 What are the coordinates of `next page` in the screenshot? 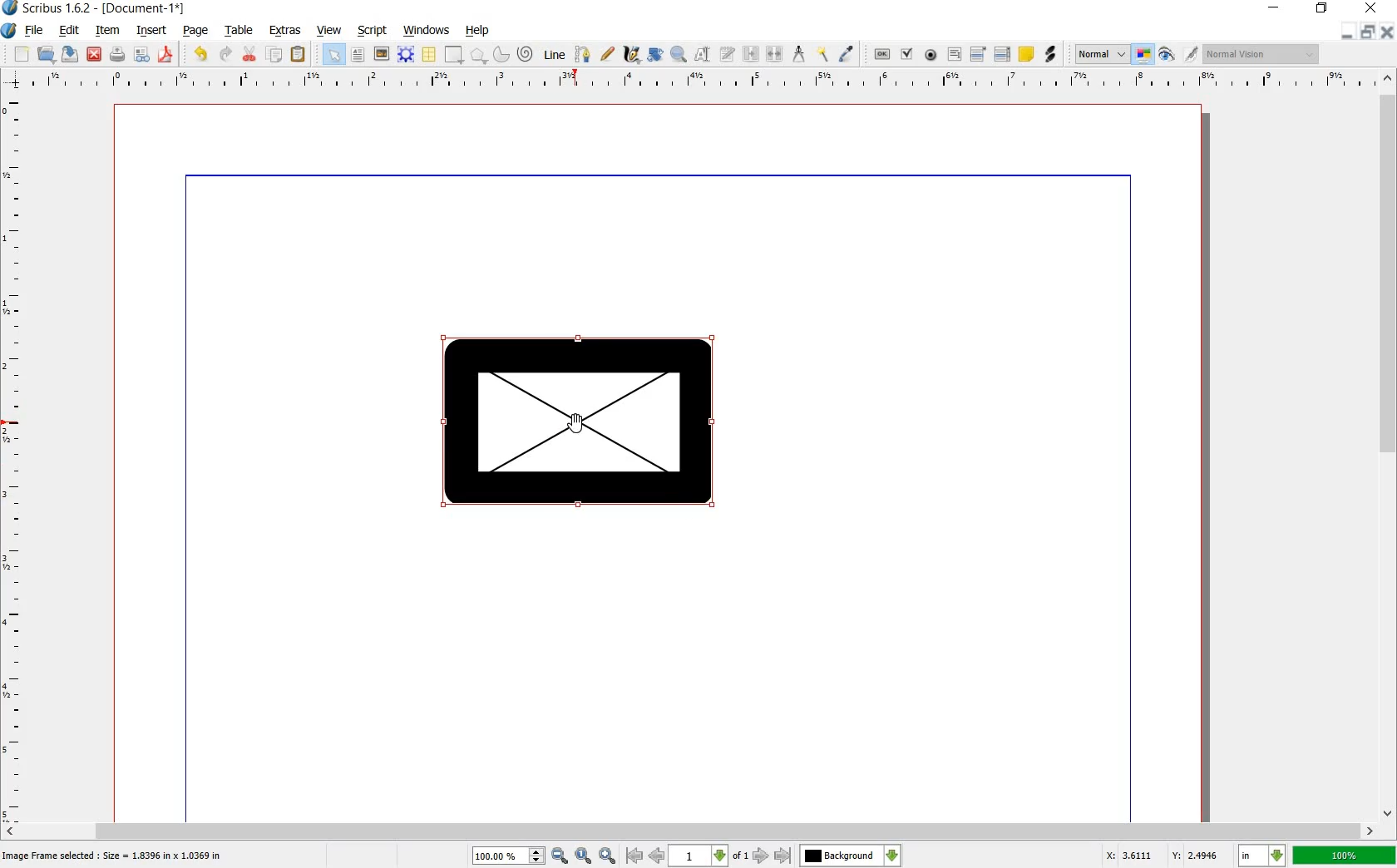 It's located at (759, 856).